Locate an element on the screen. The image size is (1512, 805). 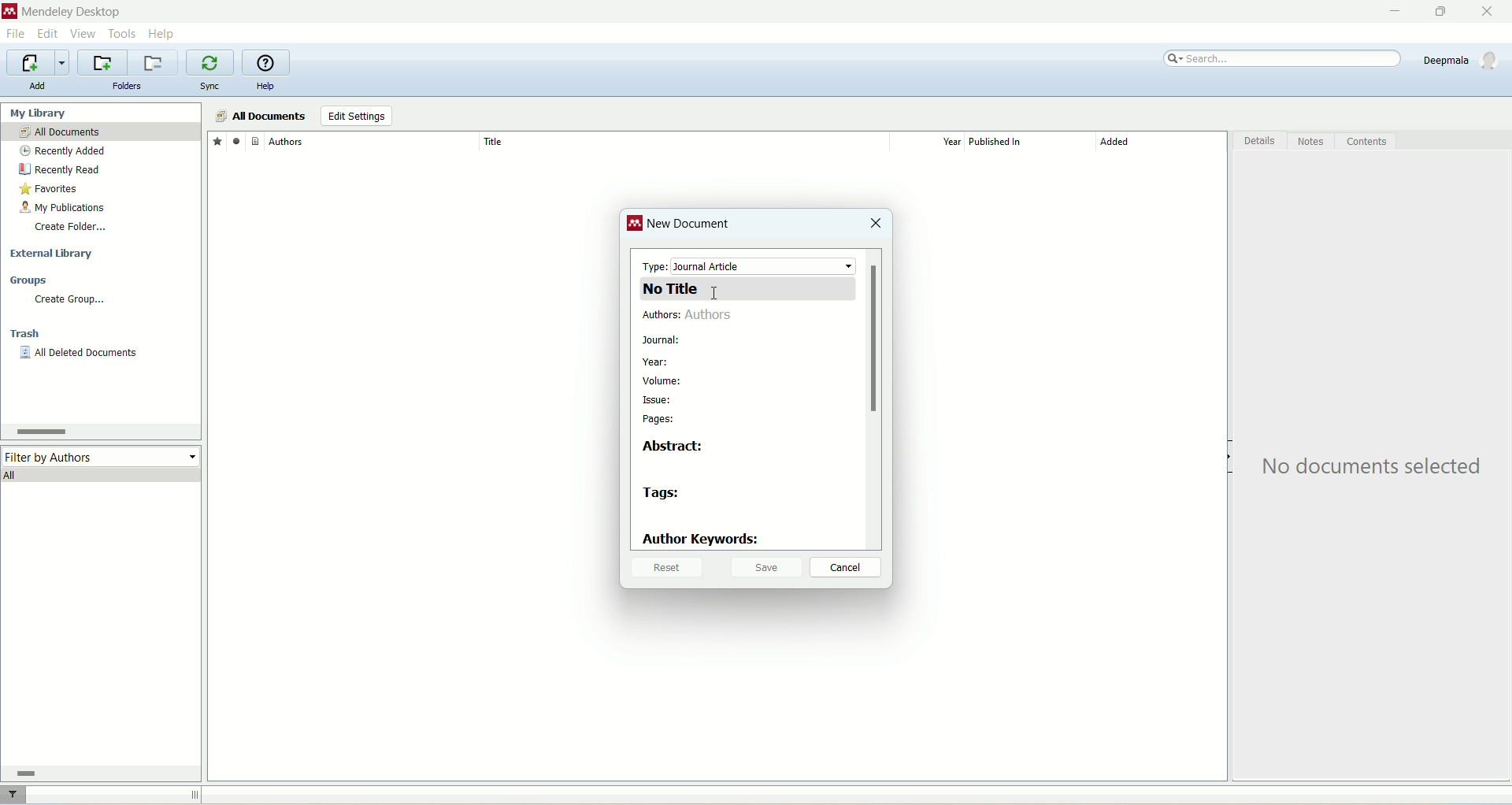
edit is located at coordinates (46, 34).